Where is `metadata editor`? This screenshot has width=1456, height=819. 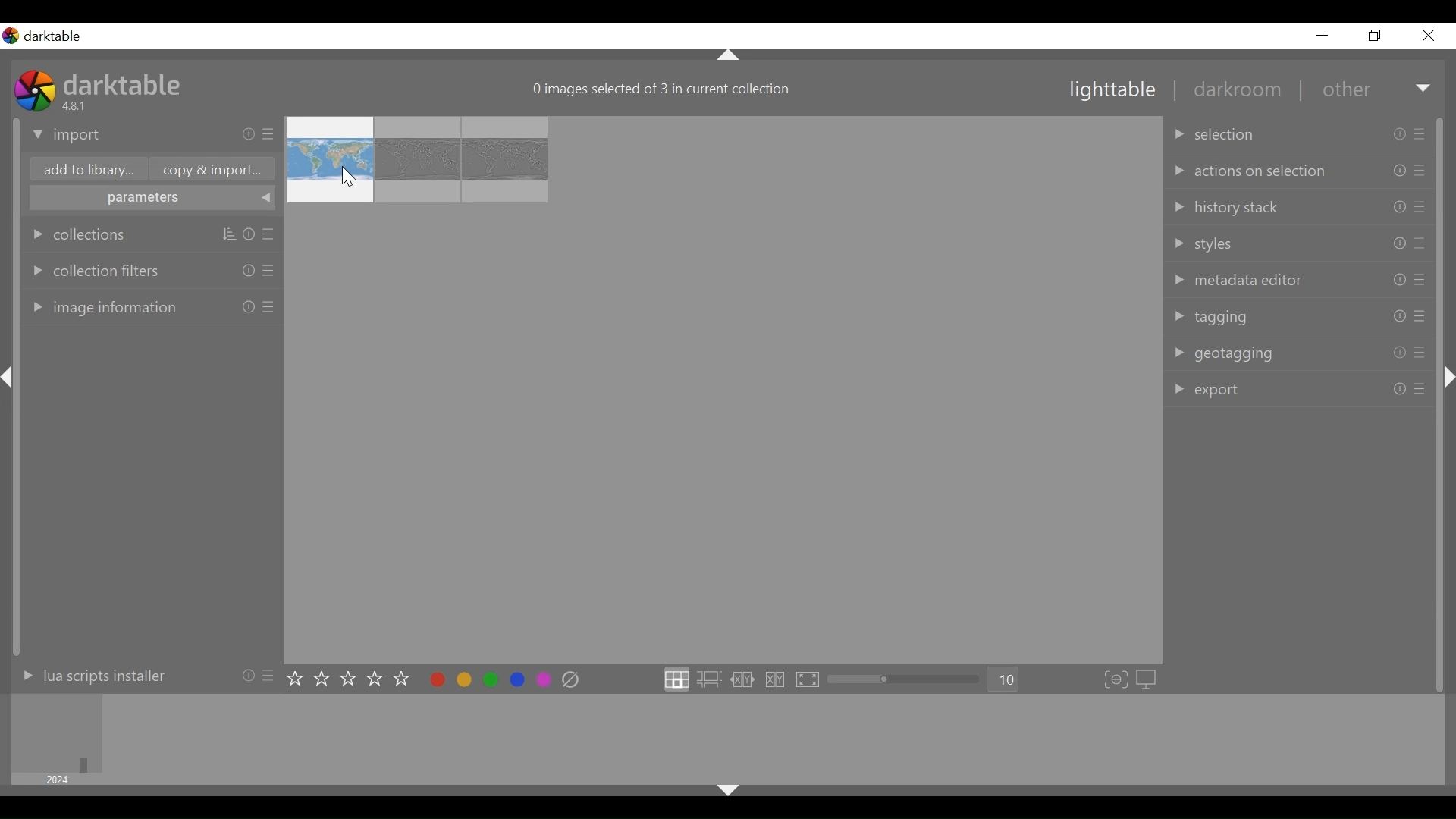 metadata editor is located at coordinates (1301, 281).